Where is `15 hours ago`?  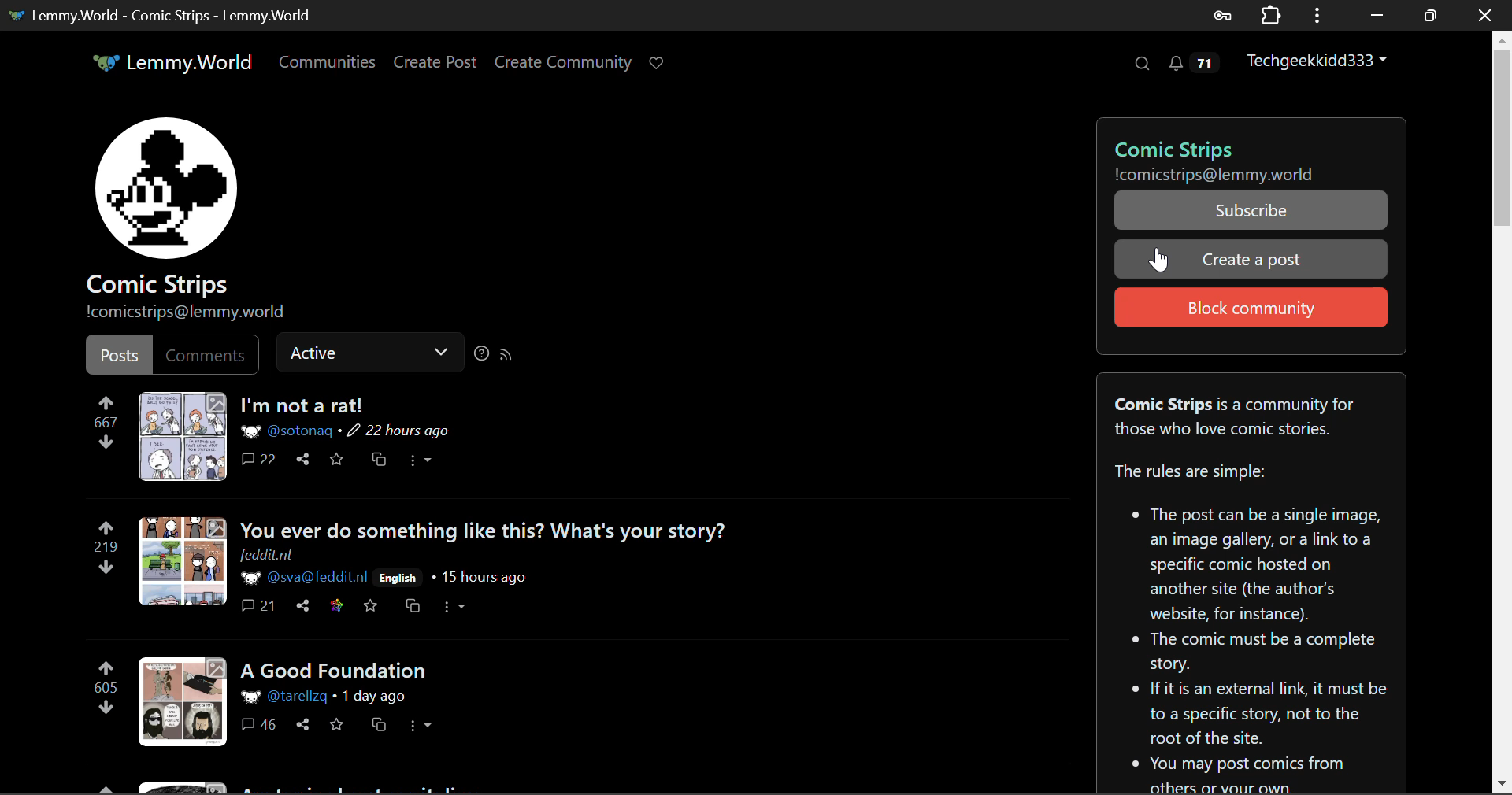 15 hours ago is located at coordinates (484, 578).